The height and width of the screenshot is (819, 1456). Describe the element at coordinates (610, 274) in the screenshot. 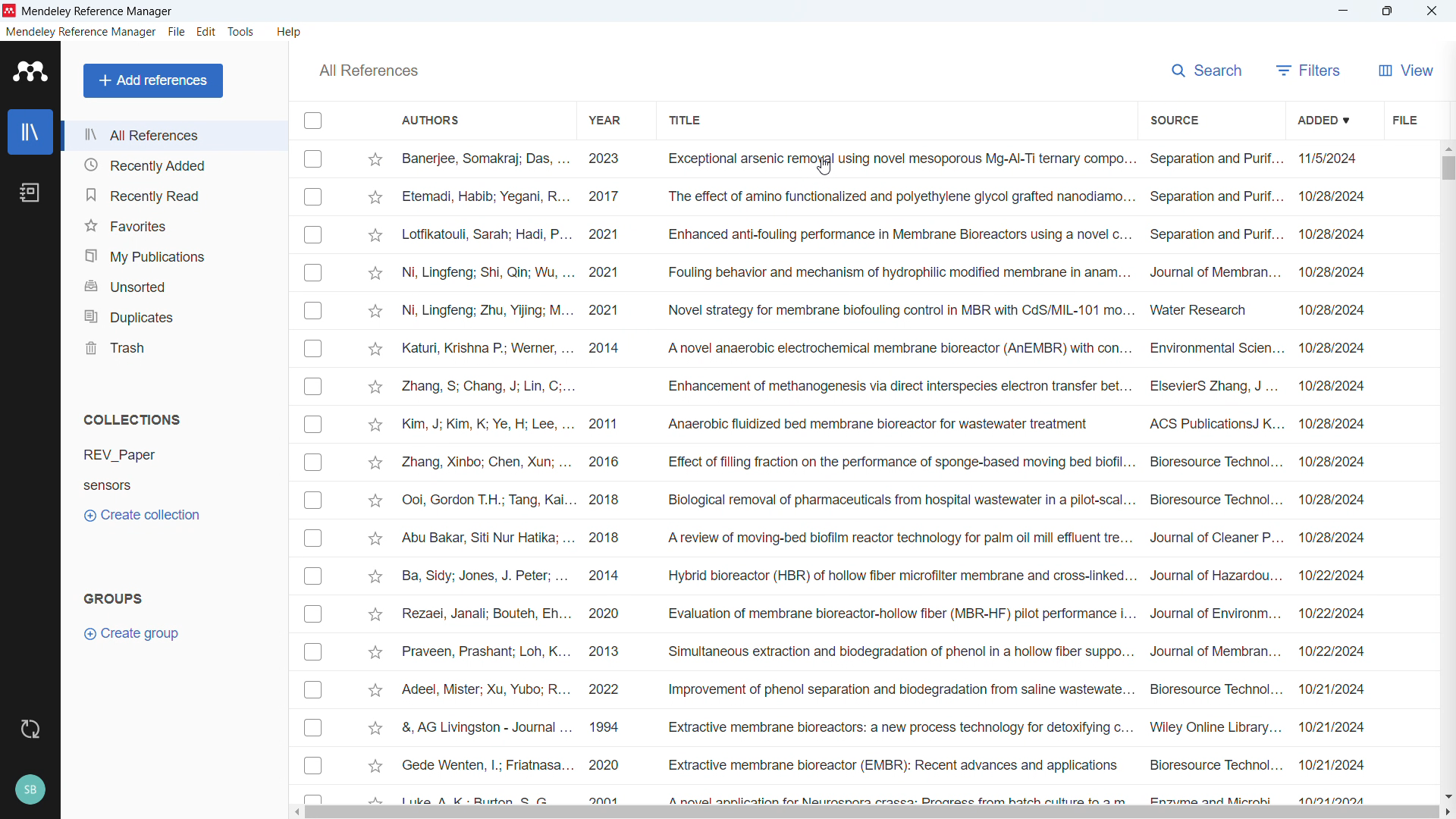

I see `2021` at that location.